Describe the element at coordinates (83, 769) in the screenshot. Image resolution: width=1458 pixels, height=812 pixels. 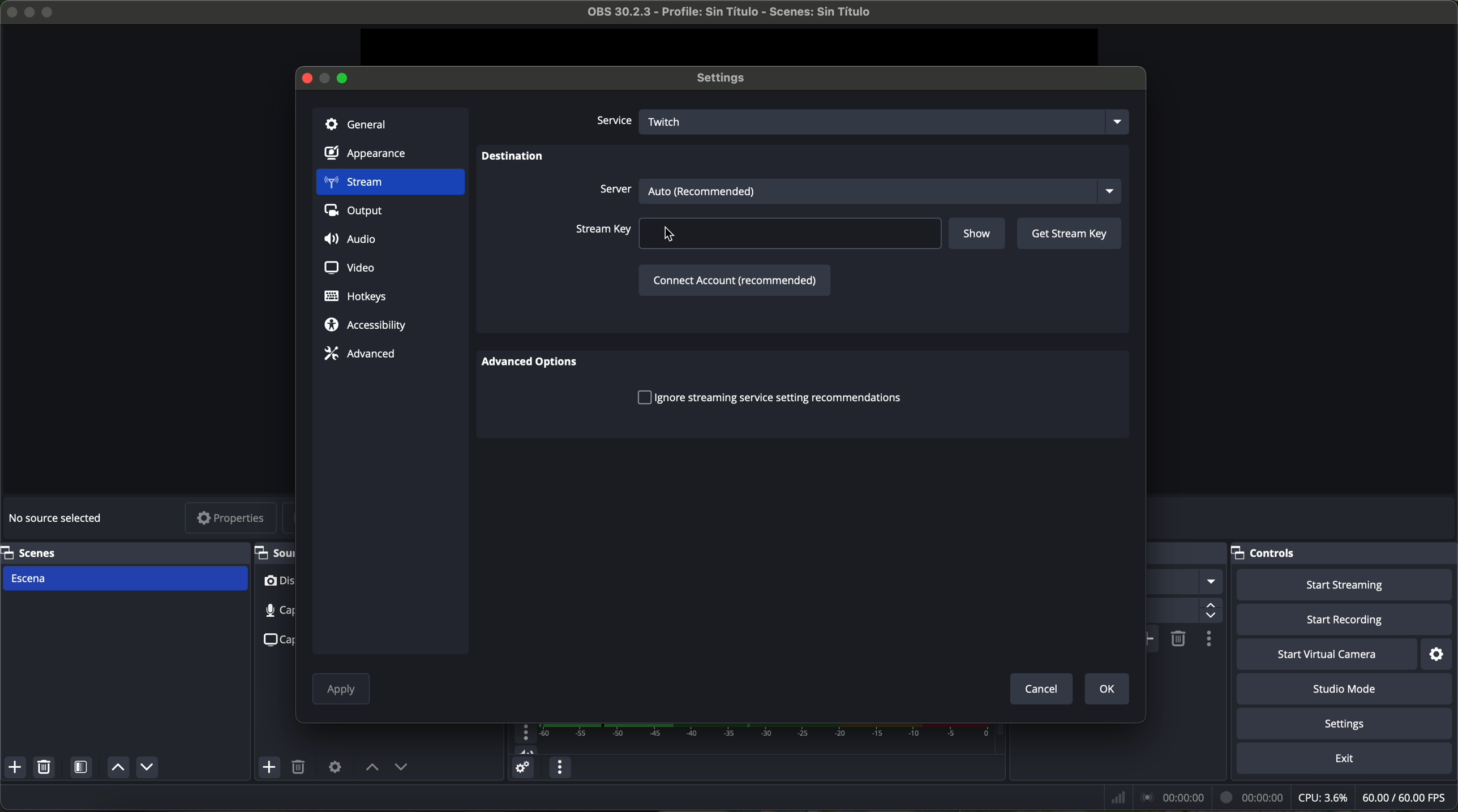
I see `open scene filters` at that location.